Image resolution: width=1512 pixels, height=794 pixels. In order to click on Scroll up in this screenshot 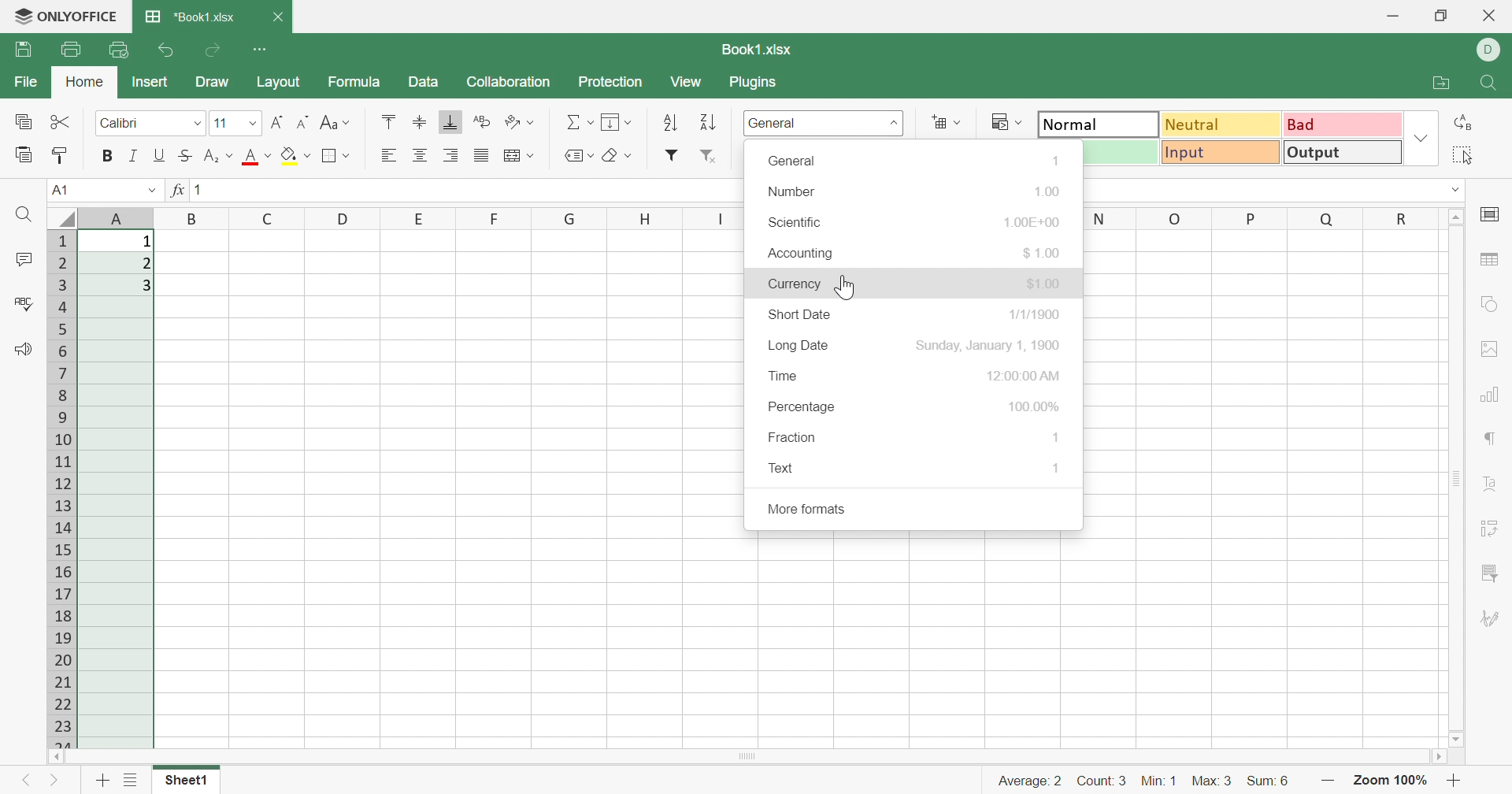, I will do `click(1458, 215)`.